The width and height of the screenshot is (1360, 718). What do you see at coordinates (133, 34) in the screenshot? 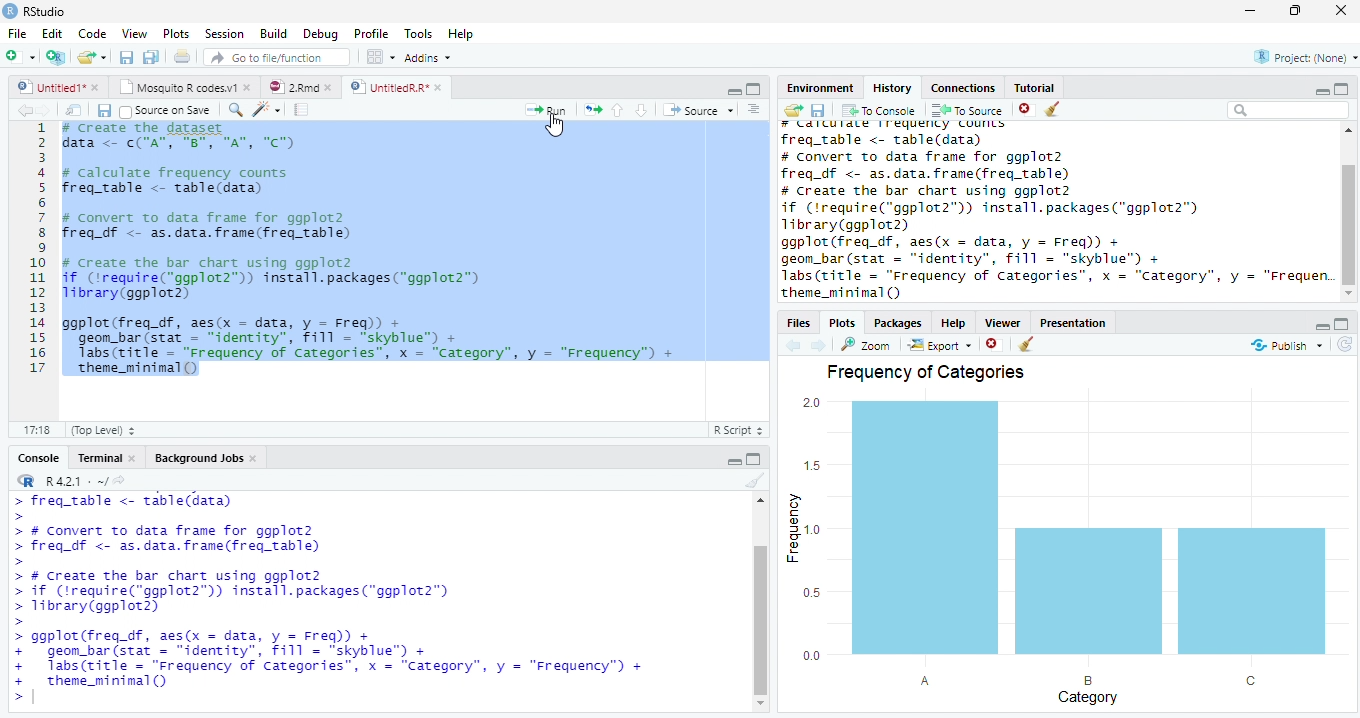
I see `View` at bounding box center [133, 34].